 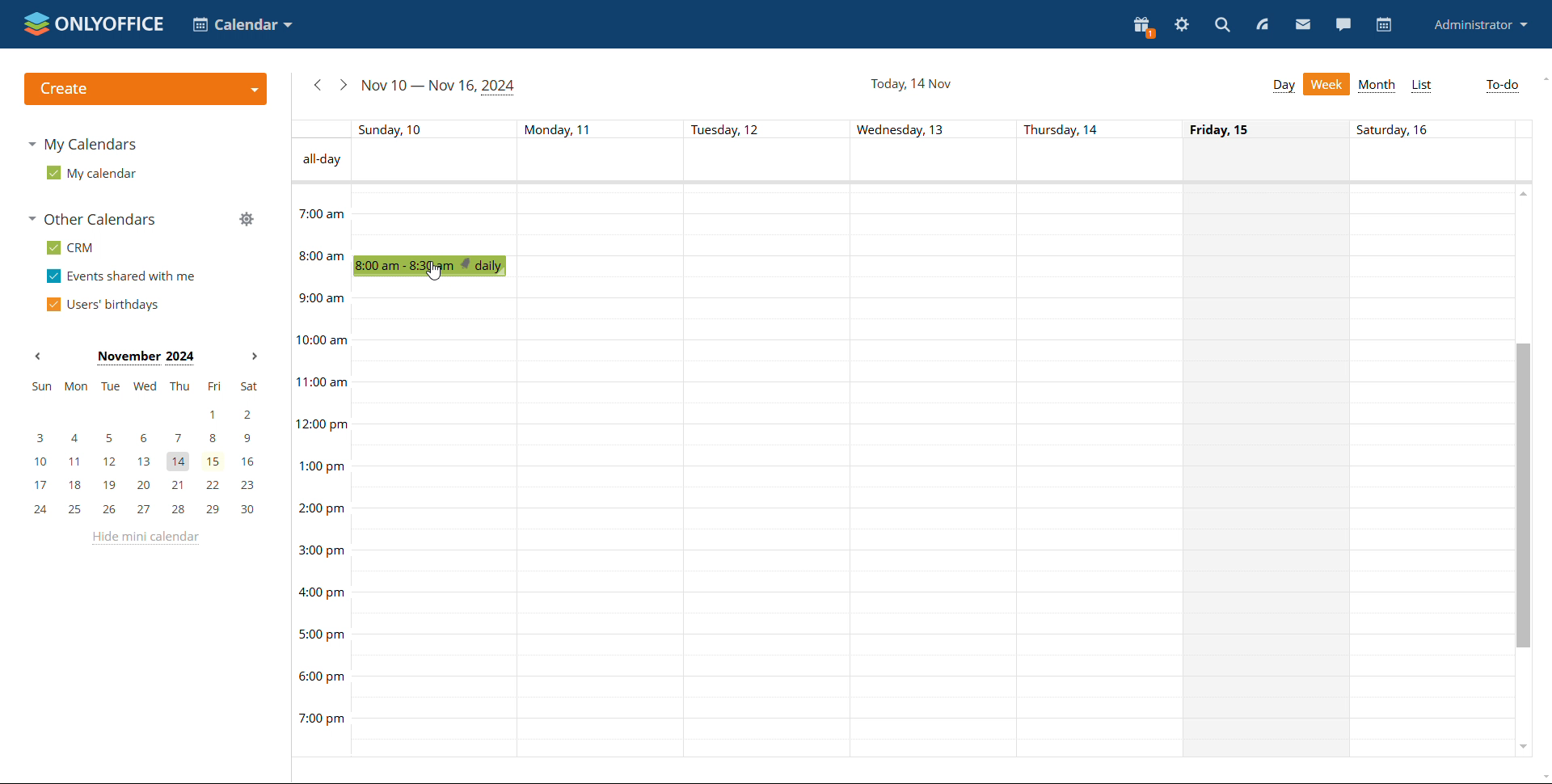 I want to click on calendar, so click(x=1382, y=25).